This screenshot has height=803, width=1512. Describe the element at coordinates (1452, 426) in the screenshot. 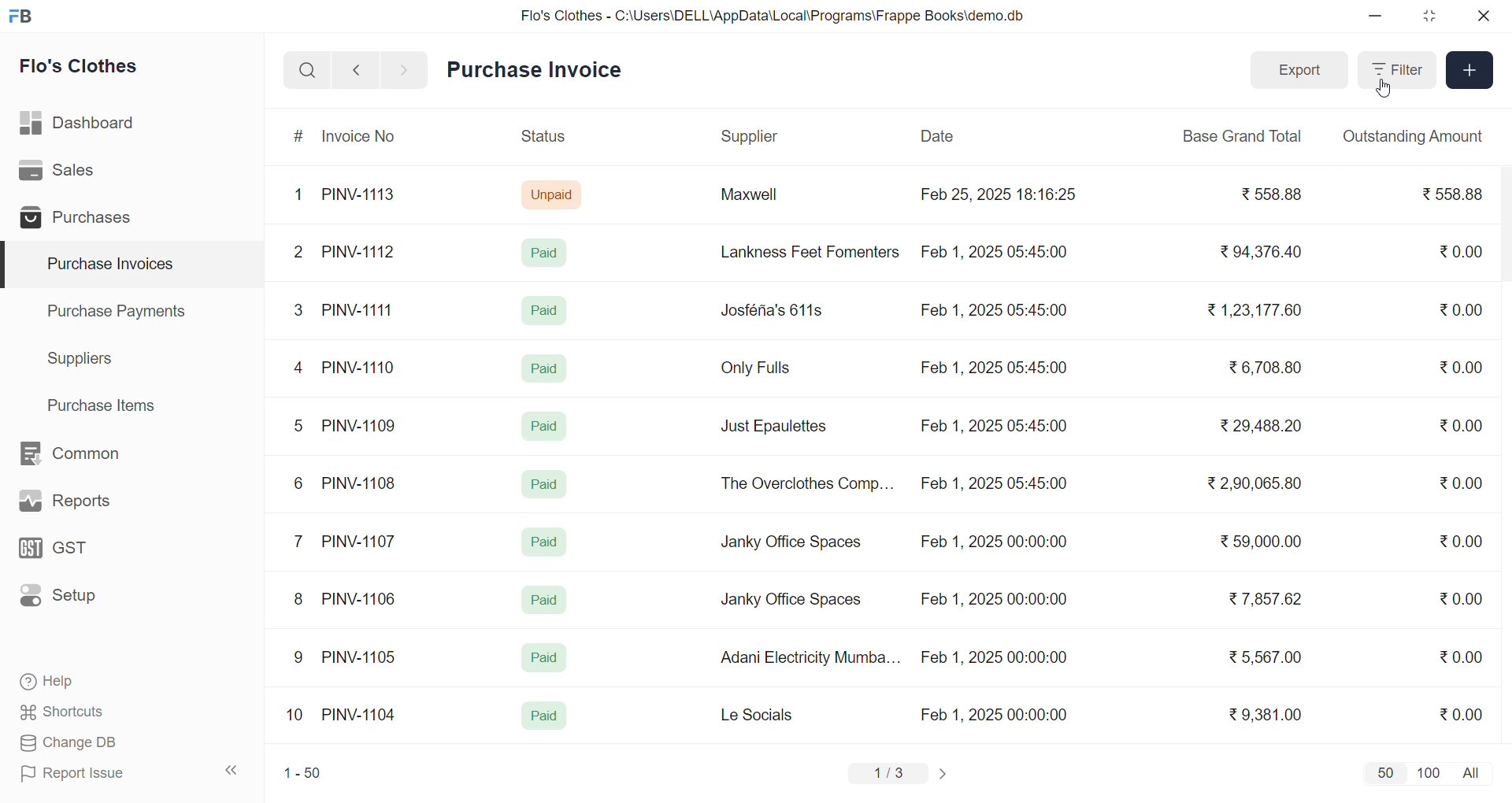

I see `₹0.00` at that location.